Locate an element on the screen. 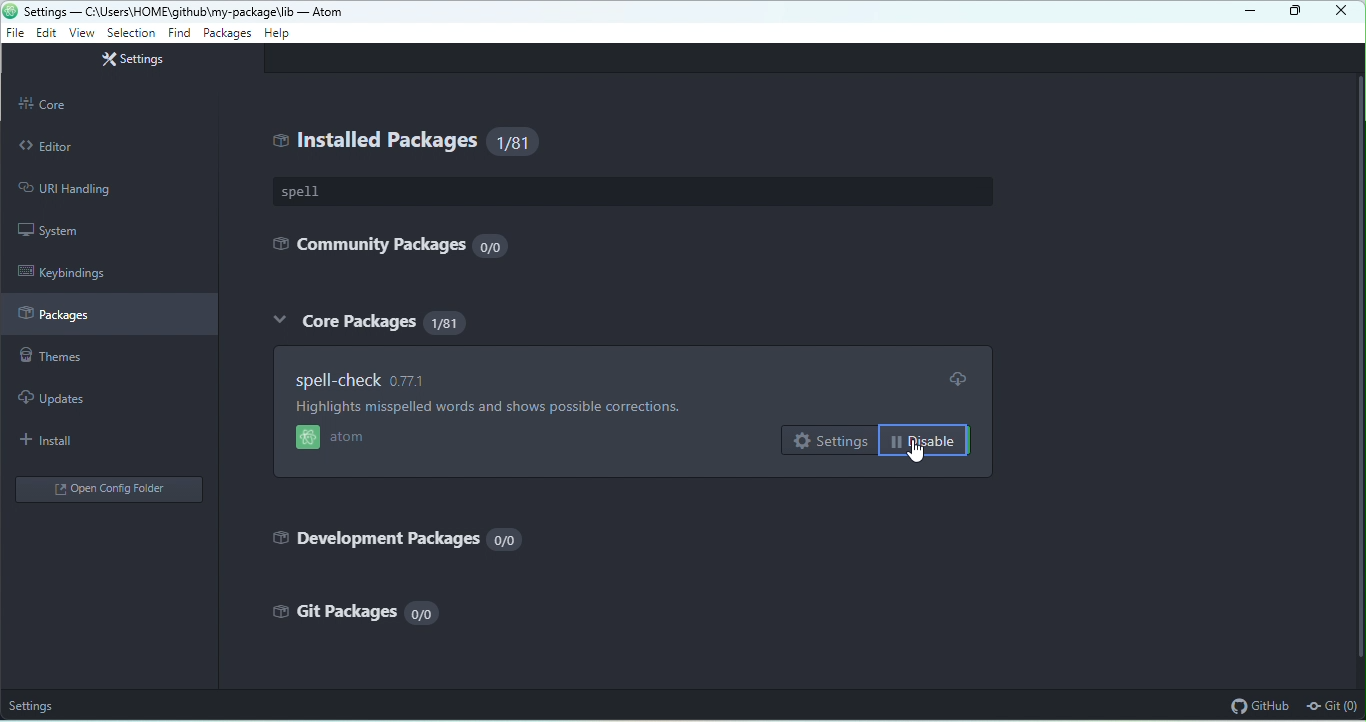  atom icon is located at coordinates (9, 10).